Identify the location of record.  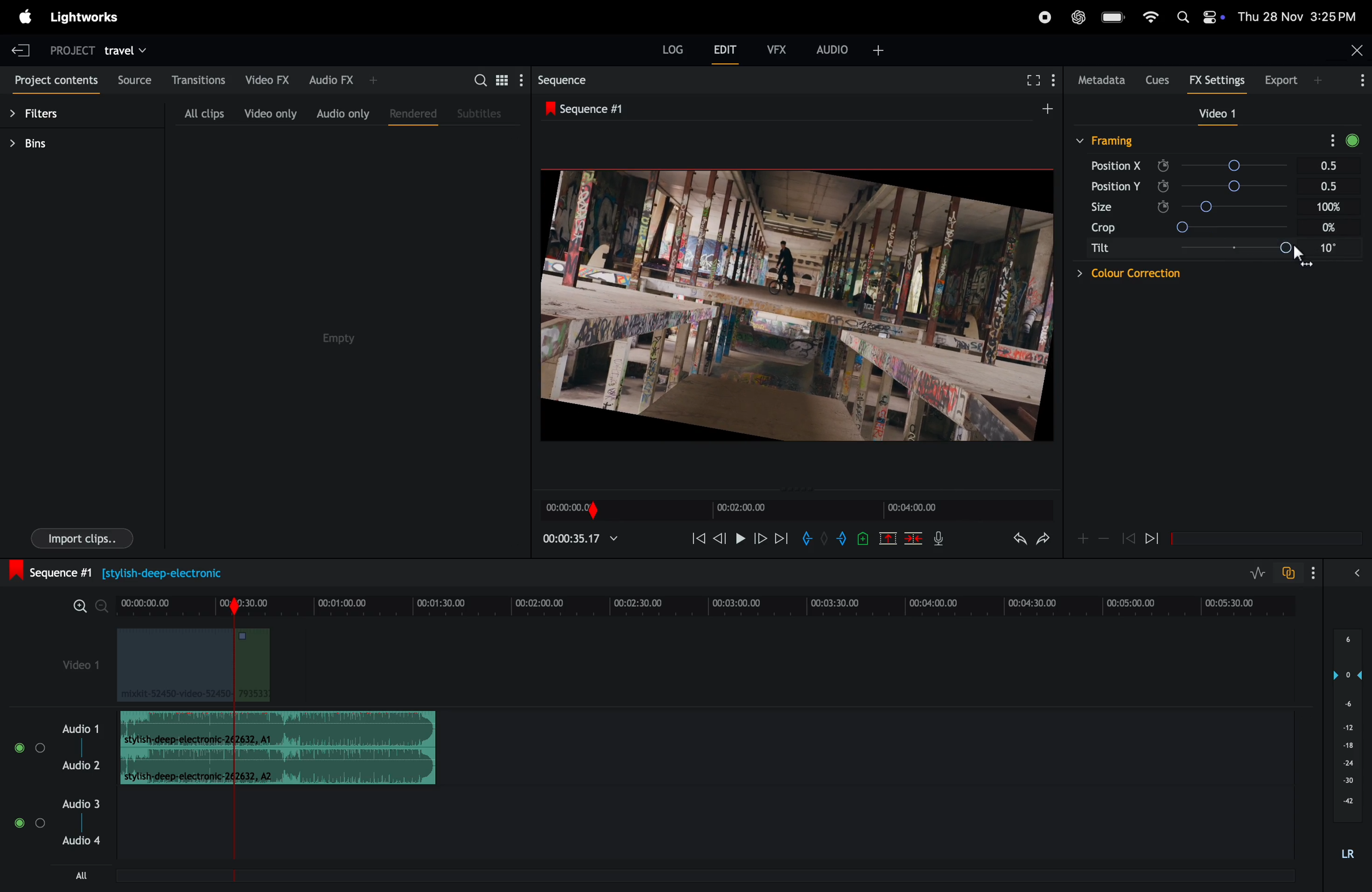
(1045, 16).